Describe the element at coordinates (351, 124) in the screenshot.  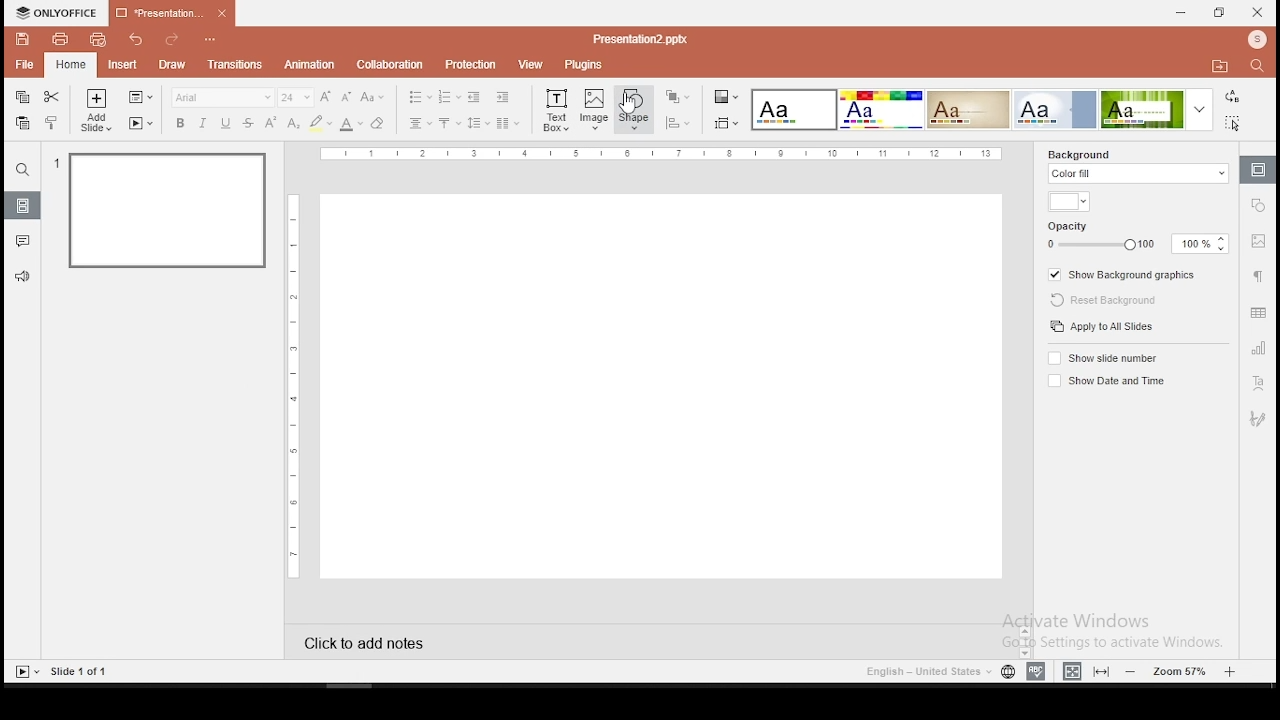
I see `font color` at that location.